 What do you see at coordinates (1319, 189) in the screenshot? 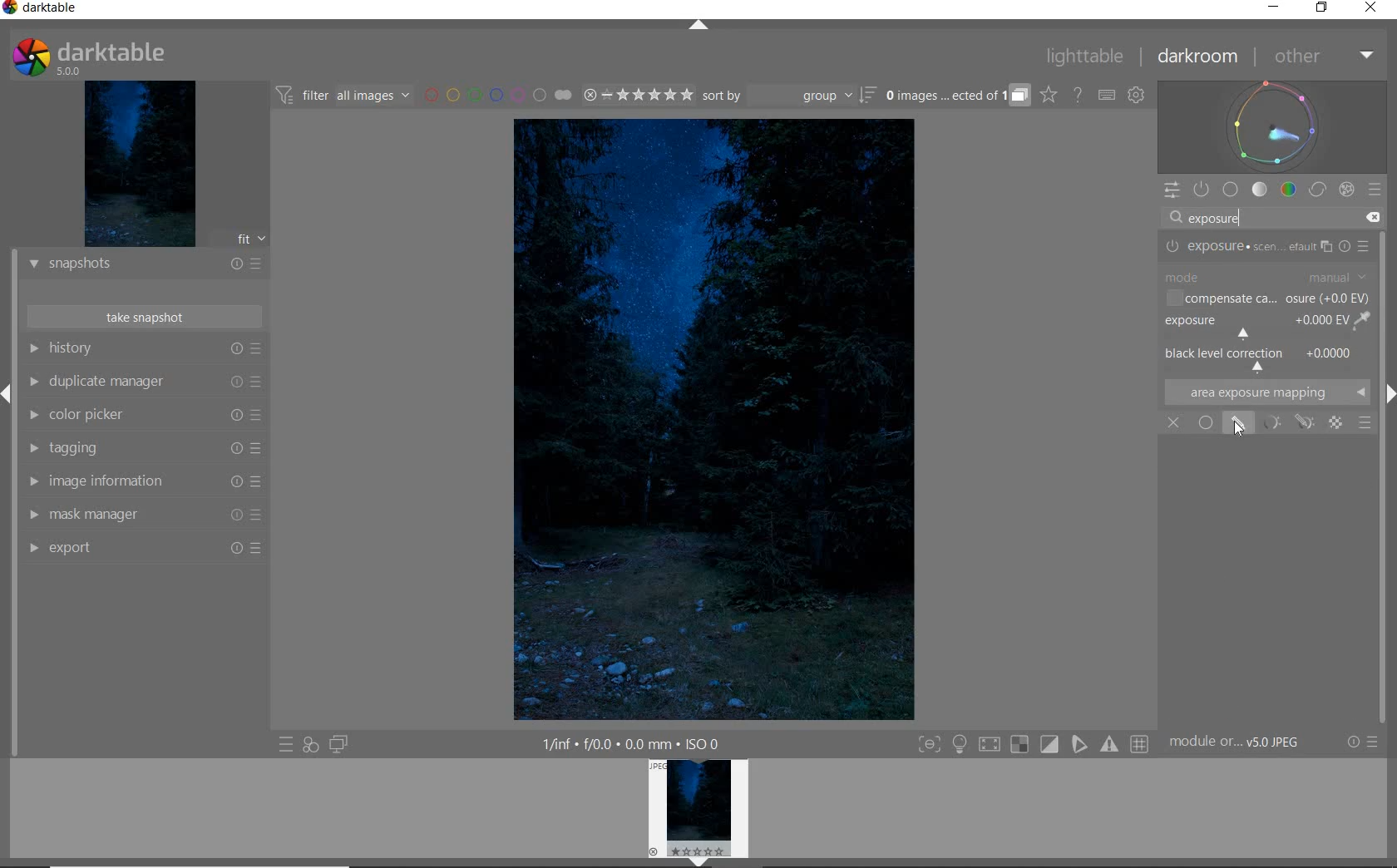
I see `CORRECT` at bounding box center [1319, 189].